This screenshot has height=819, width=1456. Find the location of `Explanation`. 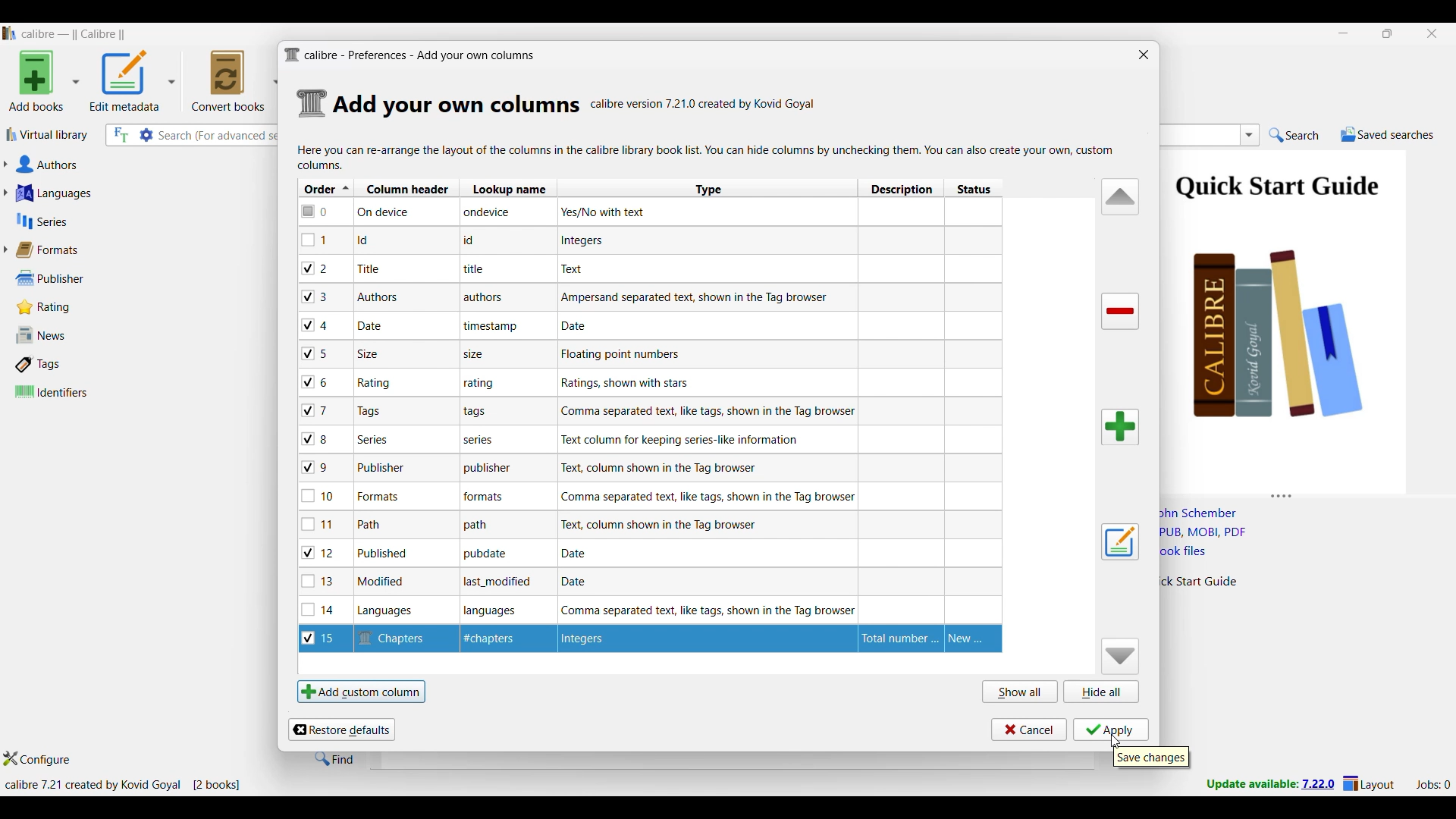

Explanation is located at coordinates (582, 325).